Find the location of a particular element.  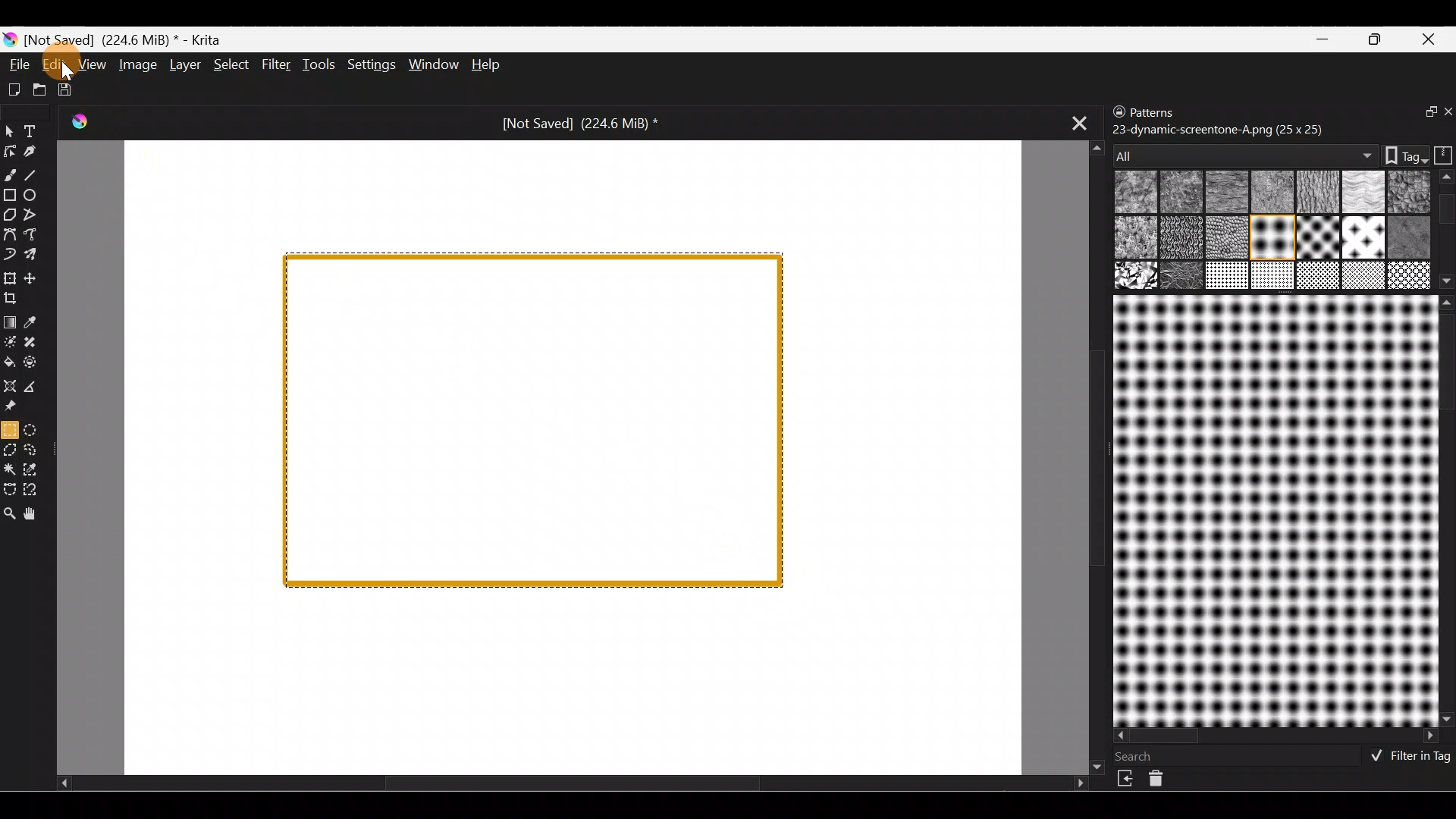

Measure the distance between two points is located at coordinates (37, 387).